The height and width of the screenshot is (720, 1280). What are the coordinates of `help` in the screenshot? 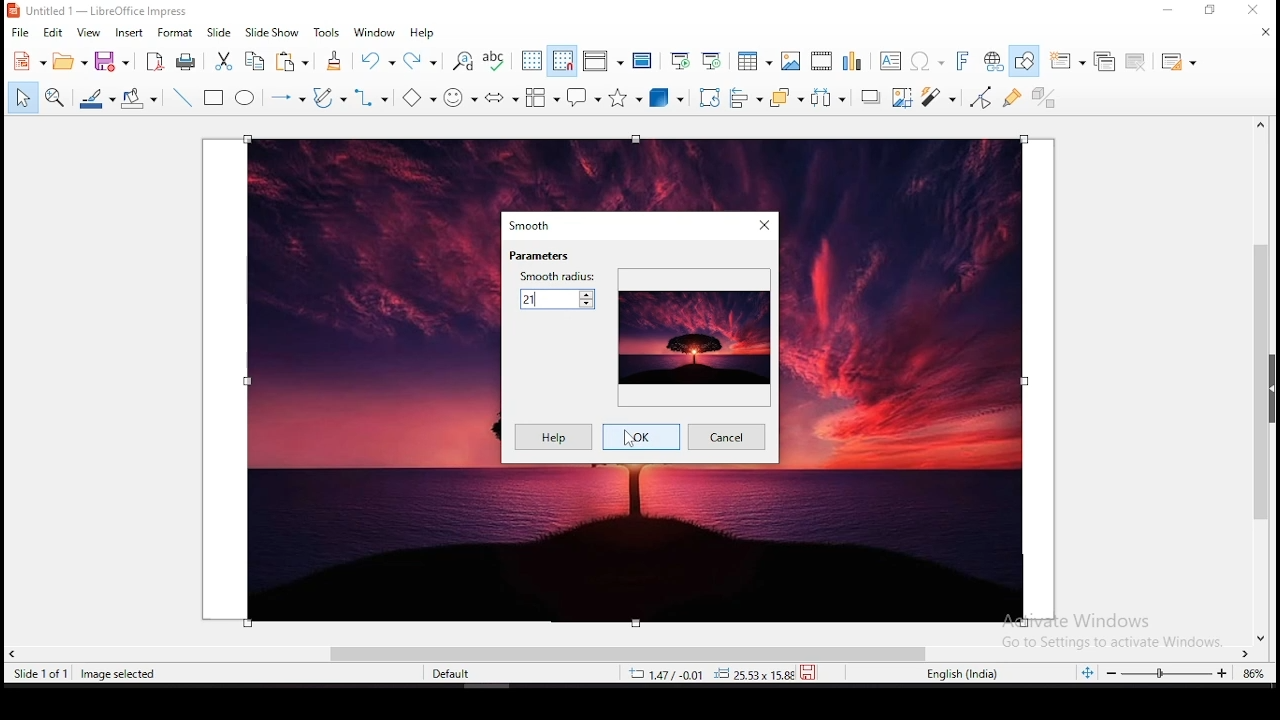 It's located at (425, 34).